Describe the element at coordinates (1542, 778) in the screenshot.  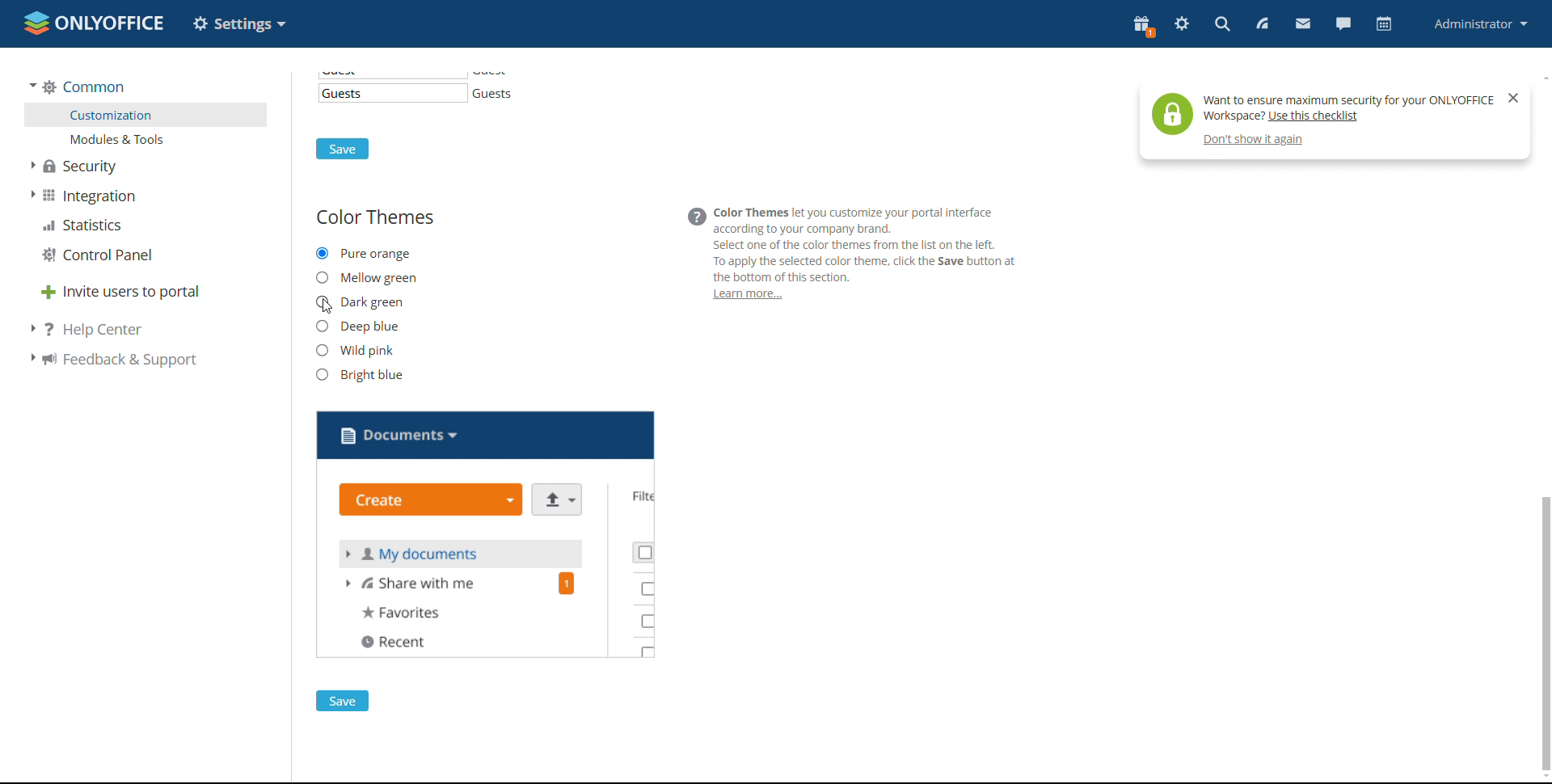
I see `scroll down` at that location.